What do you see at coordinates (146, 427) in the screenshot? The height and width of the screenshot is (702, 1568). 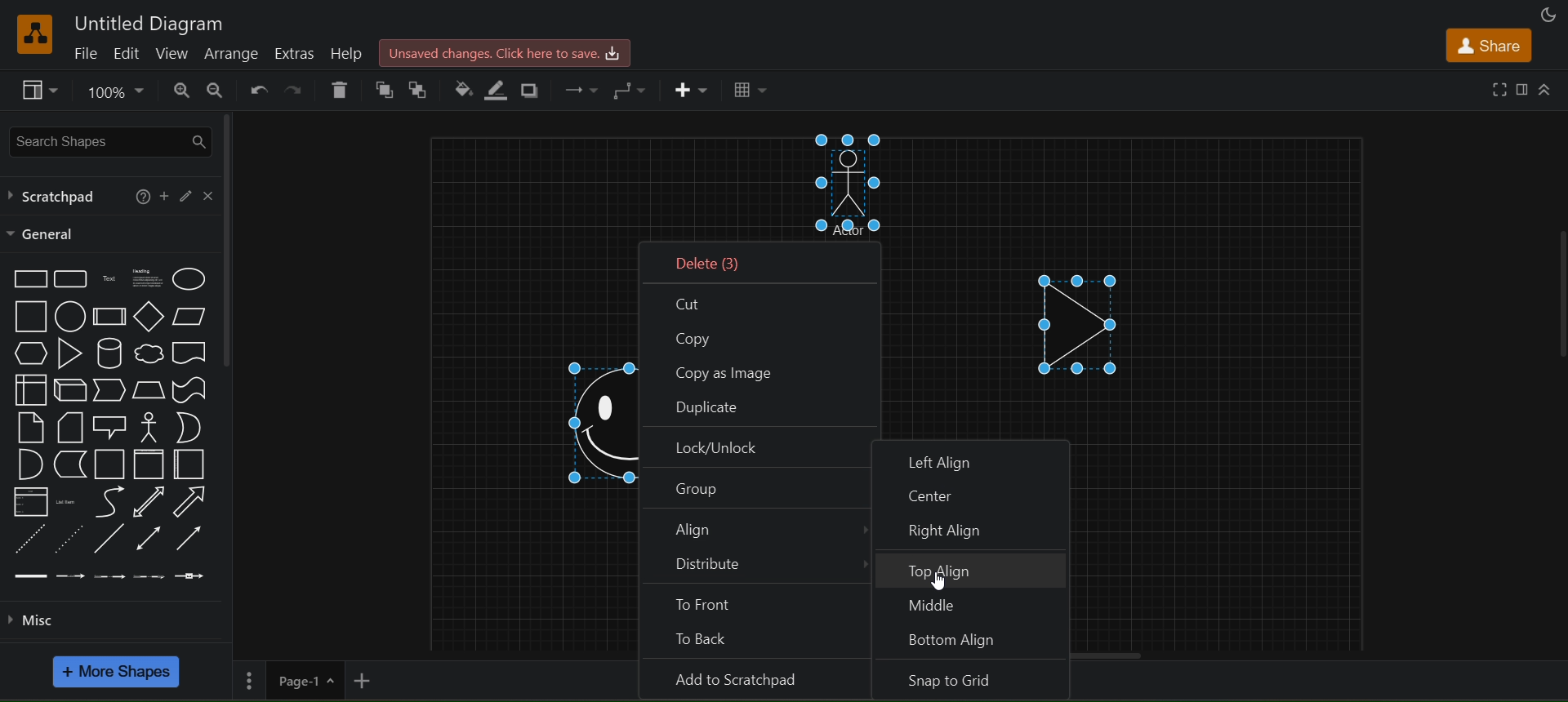 I see `actor` at bounding box center [146, 427].